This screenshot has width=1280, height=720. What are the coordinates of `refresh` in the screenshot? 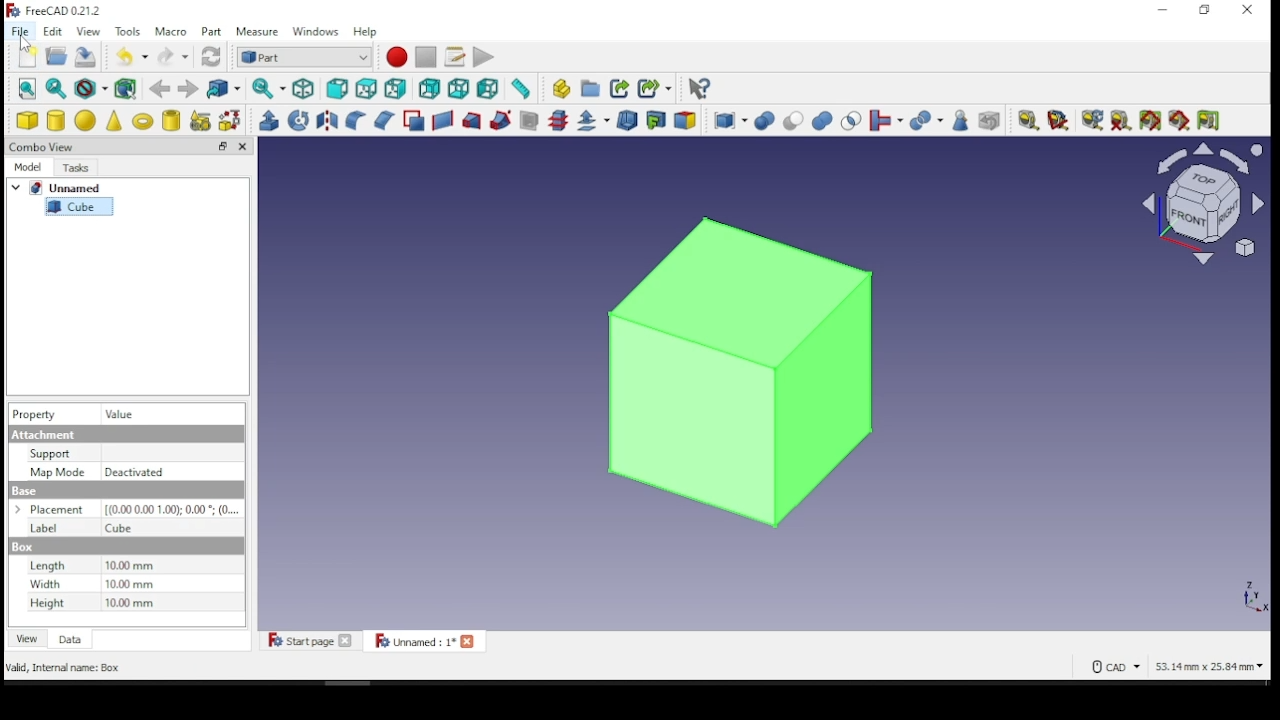 It's located at (1089, 120).